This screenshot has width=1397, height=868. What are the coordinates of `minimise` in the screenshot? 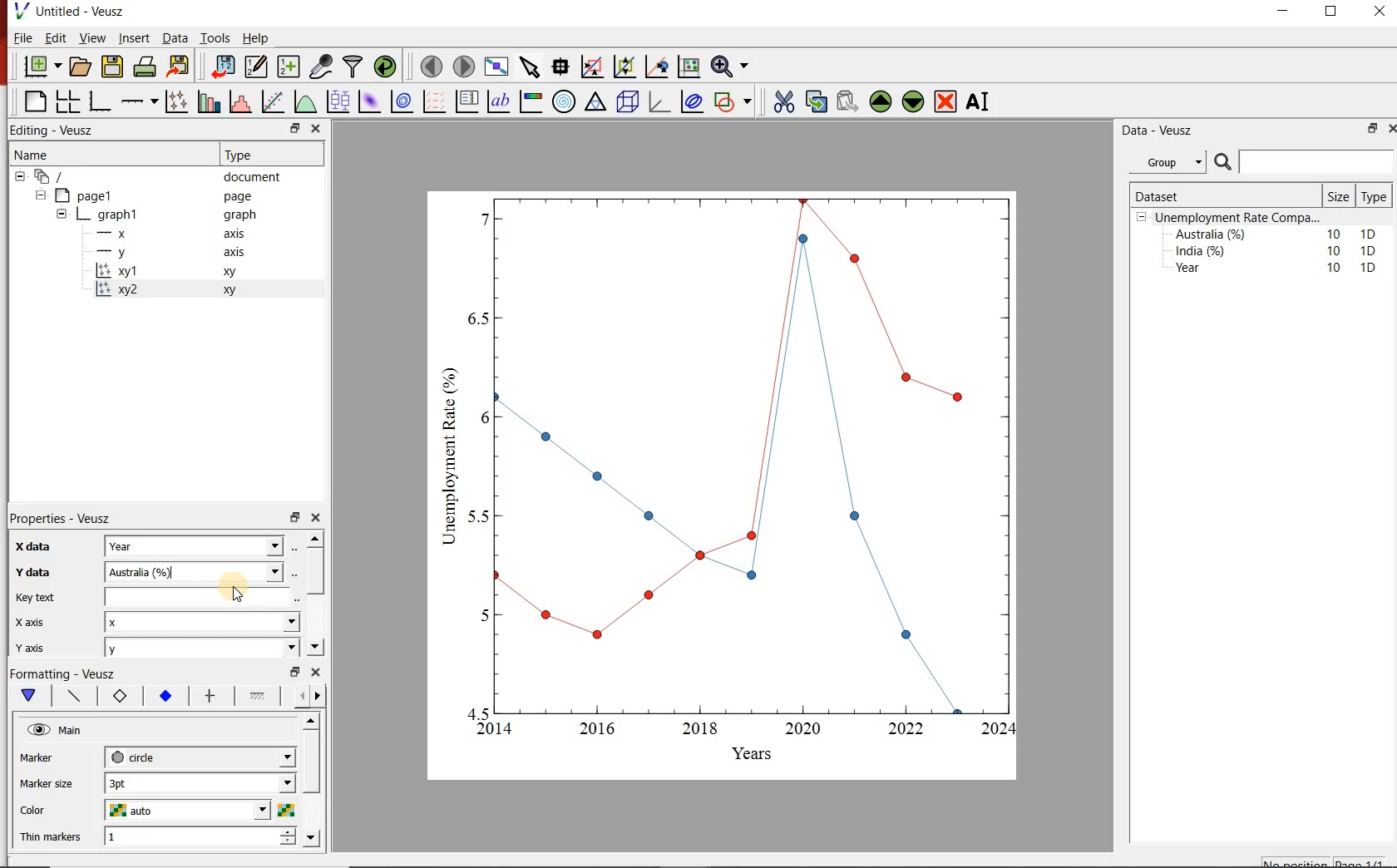 It's located at (294, 516).